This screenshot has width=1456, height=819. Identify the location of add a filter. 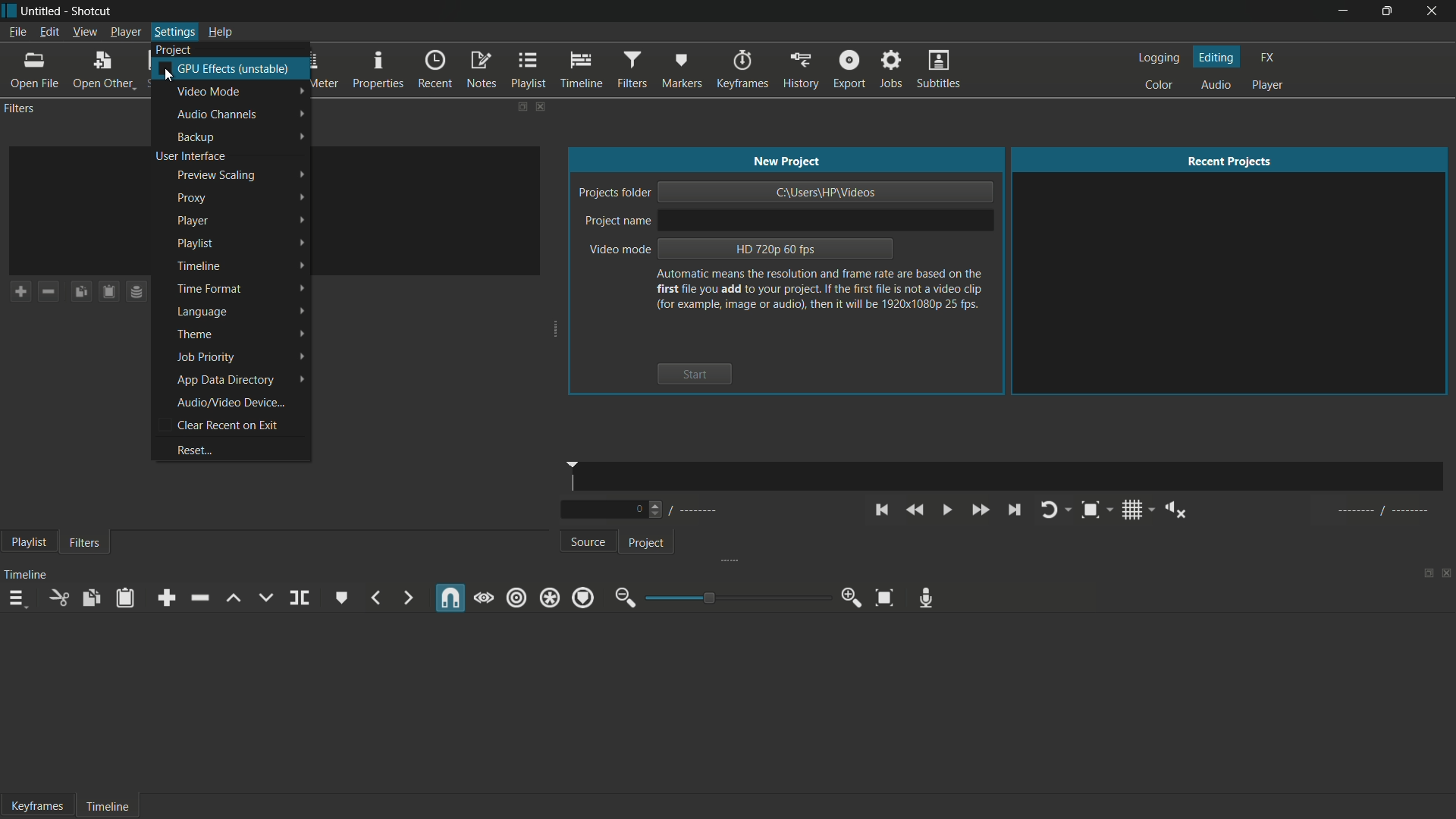
(20, 291).